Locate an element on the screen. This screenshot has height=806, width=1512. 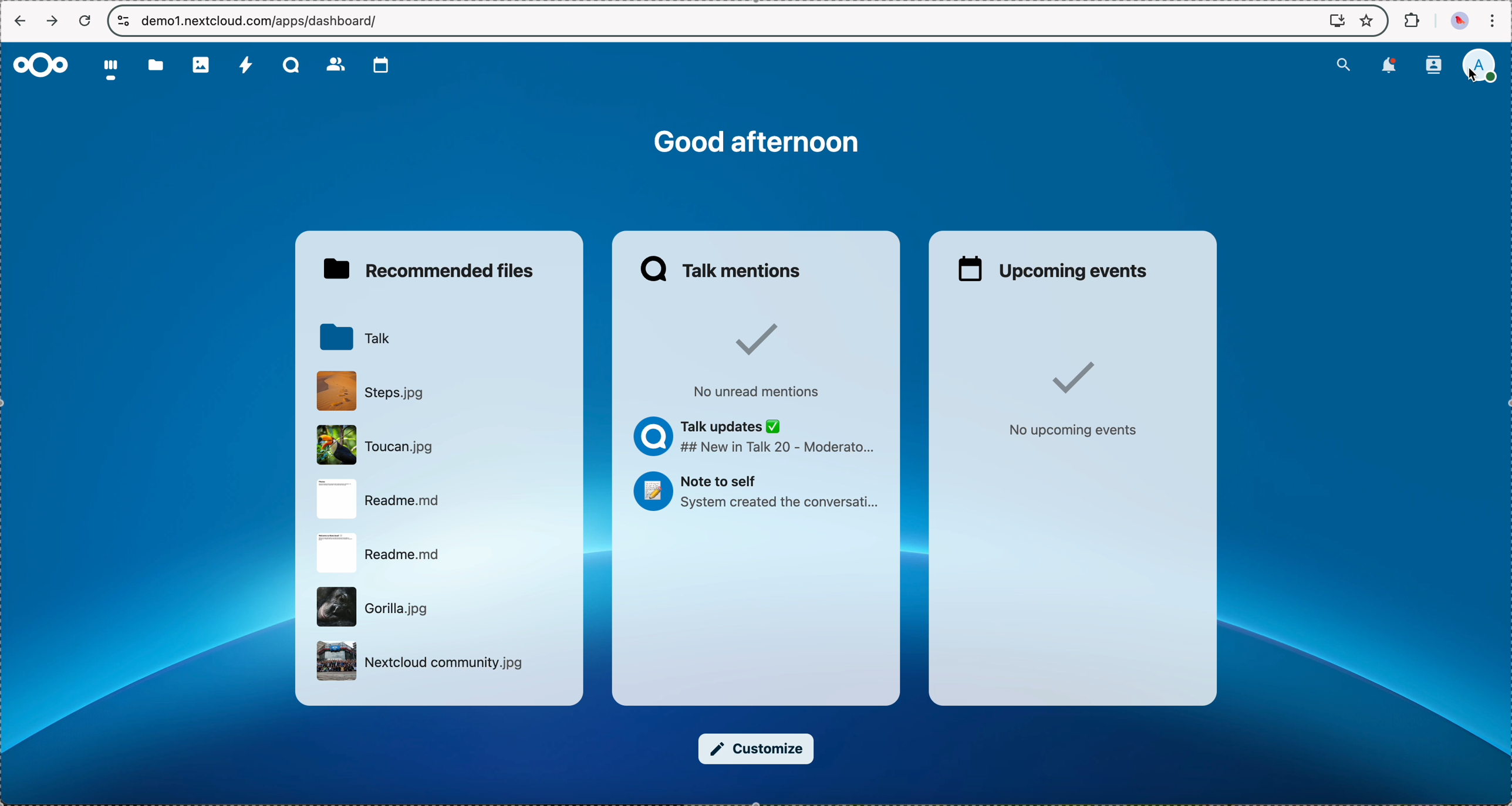
navigate back is located at coordinates (20, 20).